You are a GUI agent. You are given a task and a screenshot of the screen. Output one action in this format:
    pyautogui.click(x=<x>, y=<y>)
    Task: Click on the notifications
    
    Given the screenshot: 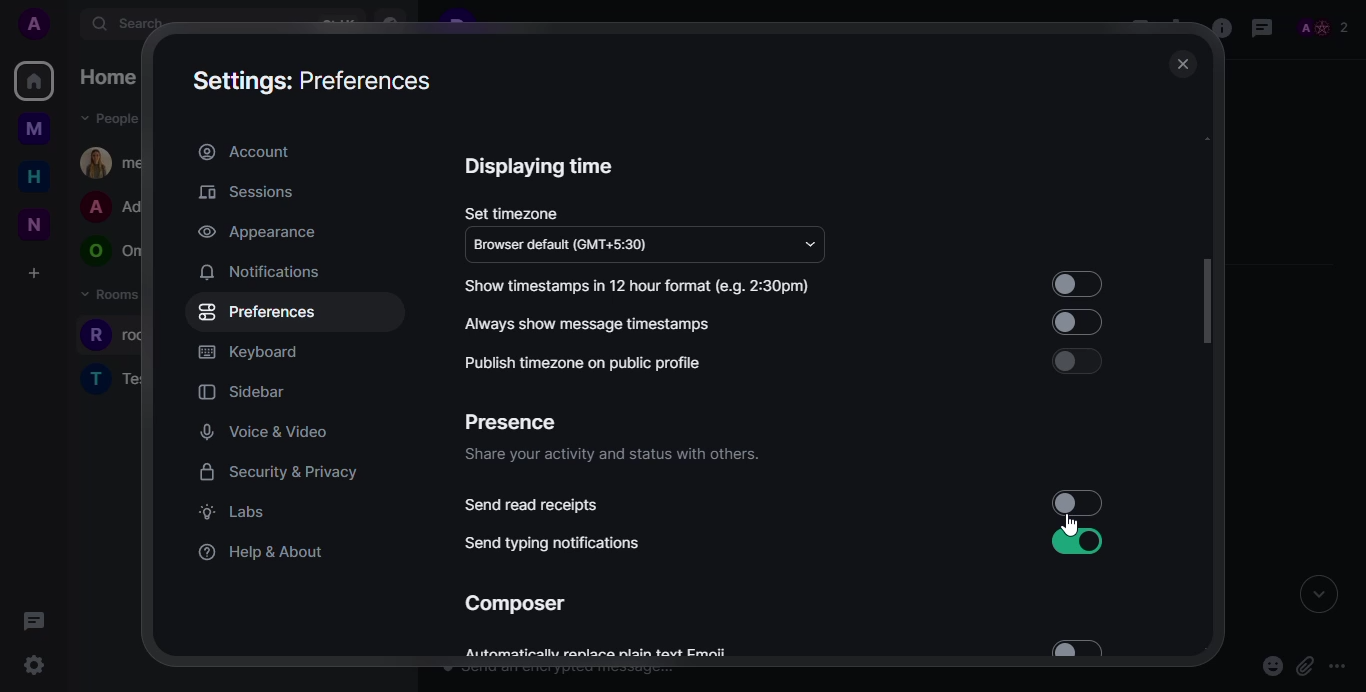 What is the action you would take?
    pyautogui.click(x=259, y=271)
    